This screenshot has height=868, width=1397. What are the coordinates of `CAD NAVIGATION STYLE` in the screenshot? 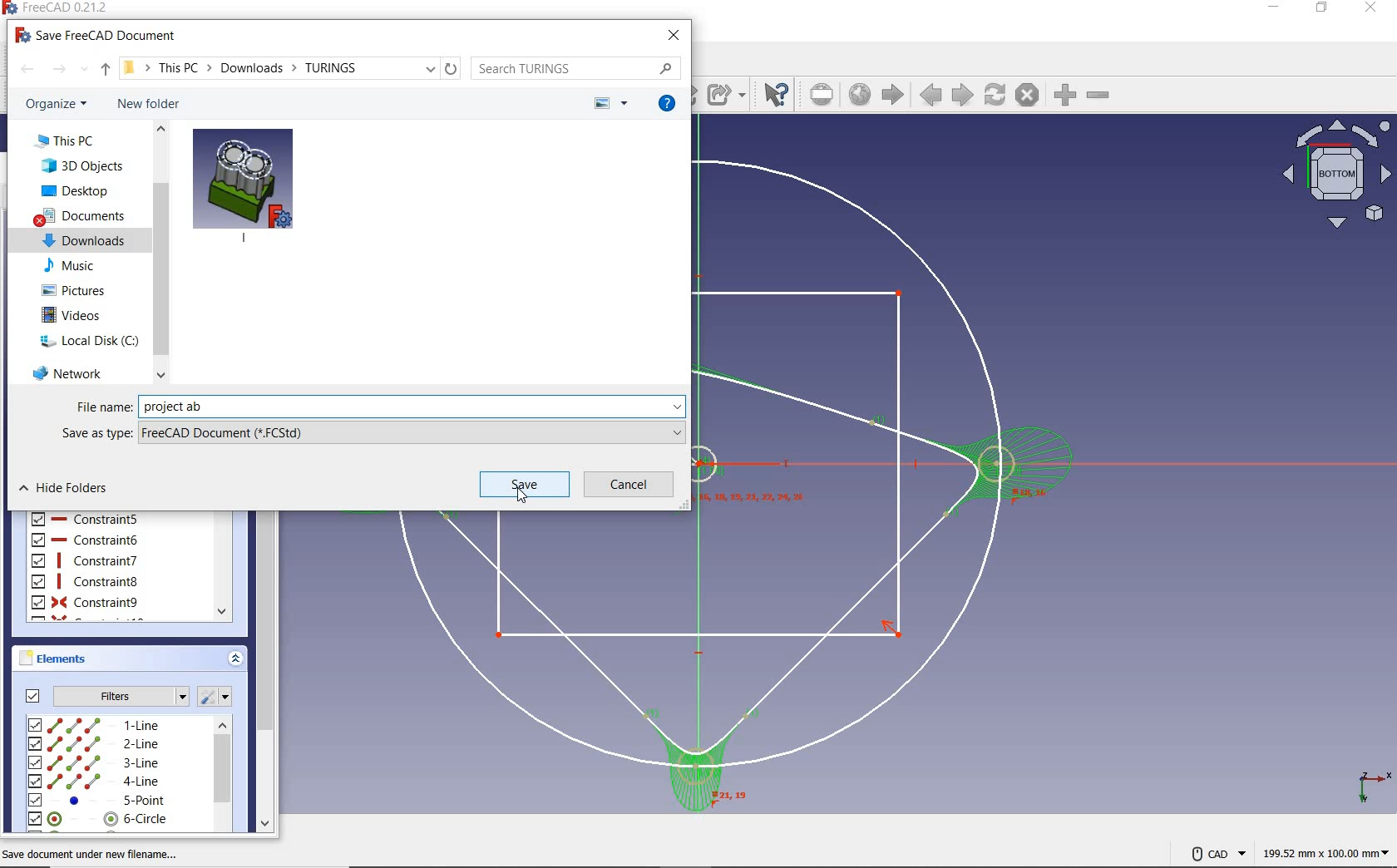 It's located at (1209, 852).